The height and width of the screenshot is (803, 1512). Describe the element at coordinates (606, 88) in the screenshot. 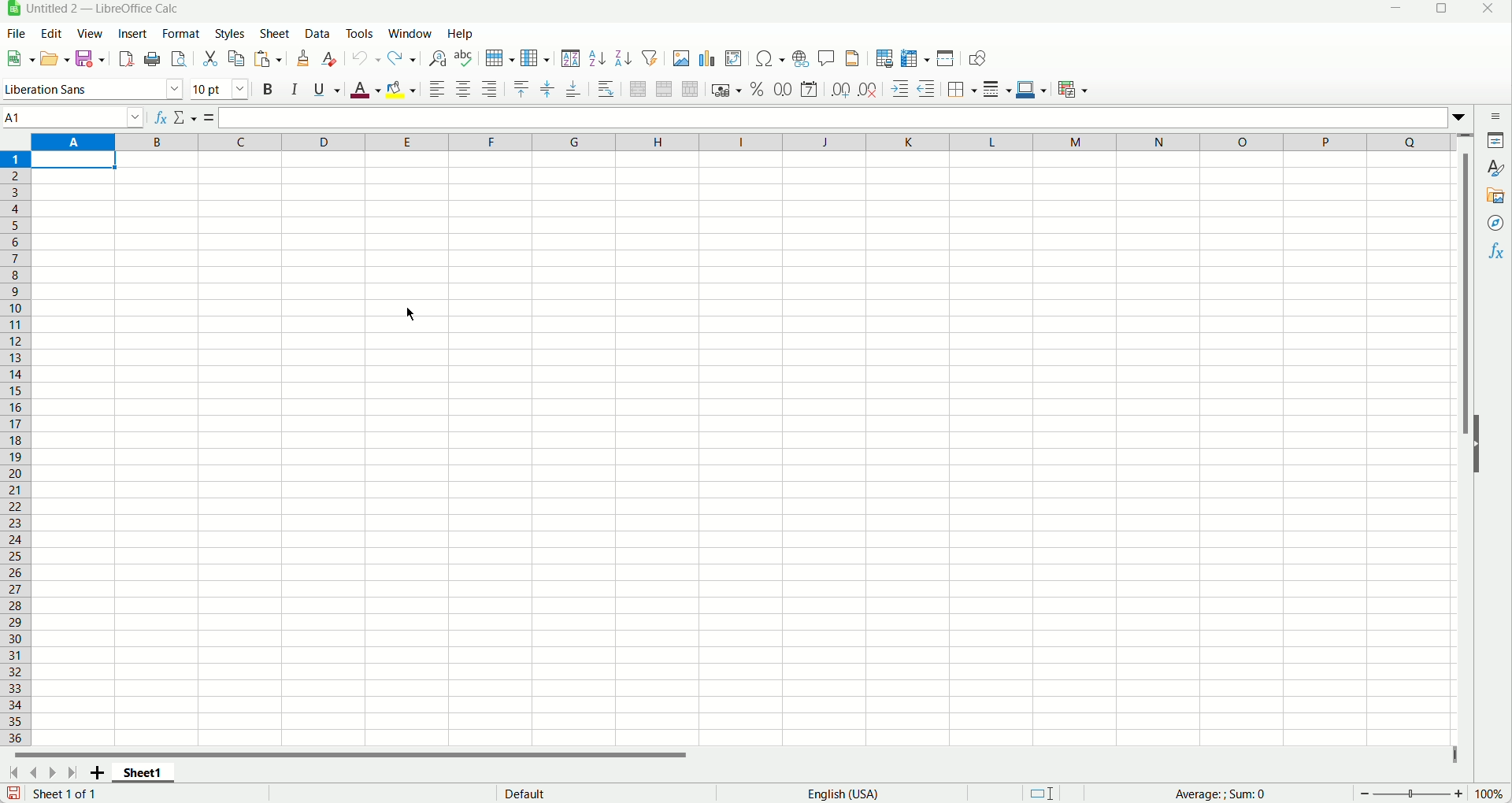

I see `Wrap text` at that location.